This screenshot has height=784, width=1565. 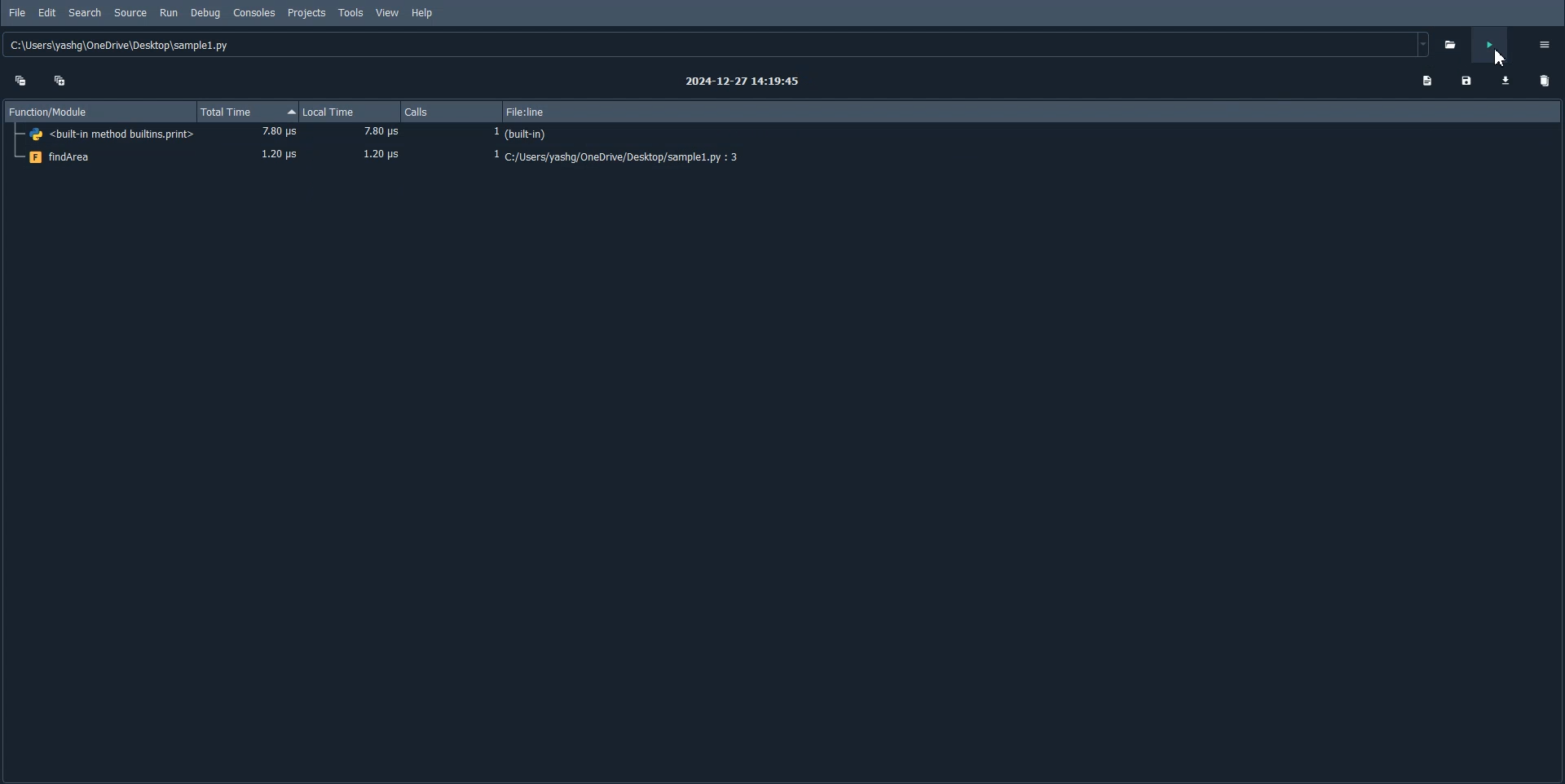 What do you see at coordinates (1506, 80) in the screenshot?
I see `Load profiling data for comparison` at bounding box center [1506, 80].